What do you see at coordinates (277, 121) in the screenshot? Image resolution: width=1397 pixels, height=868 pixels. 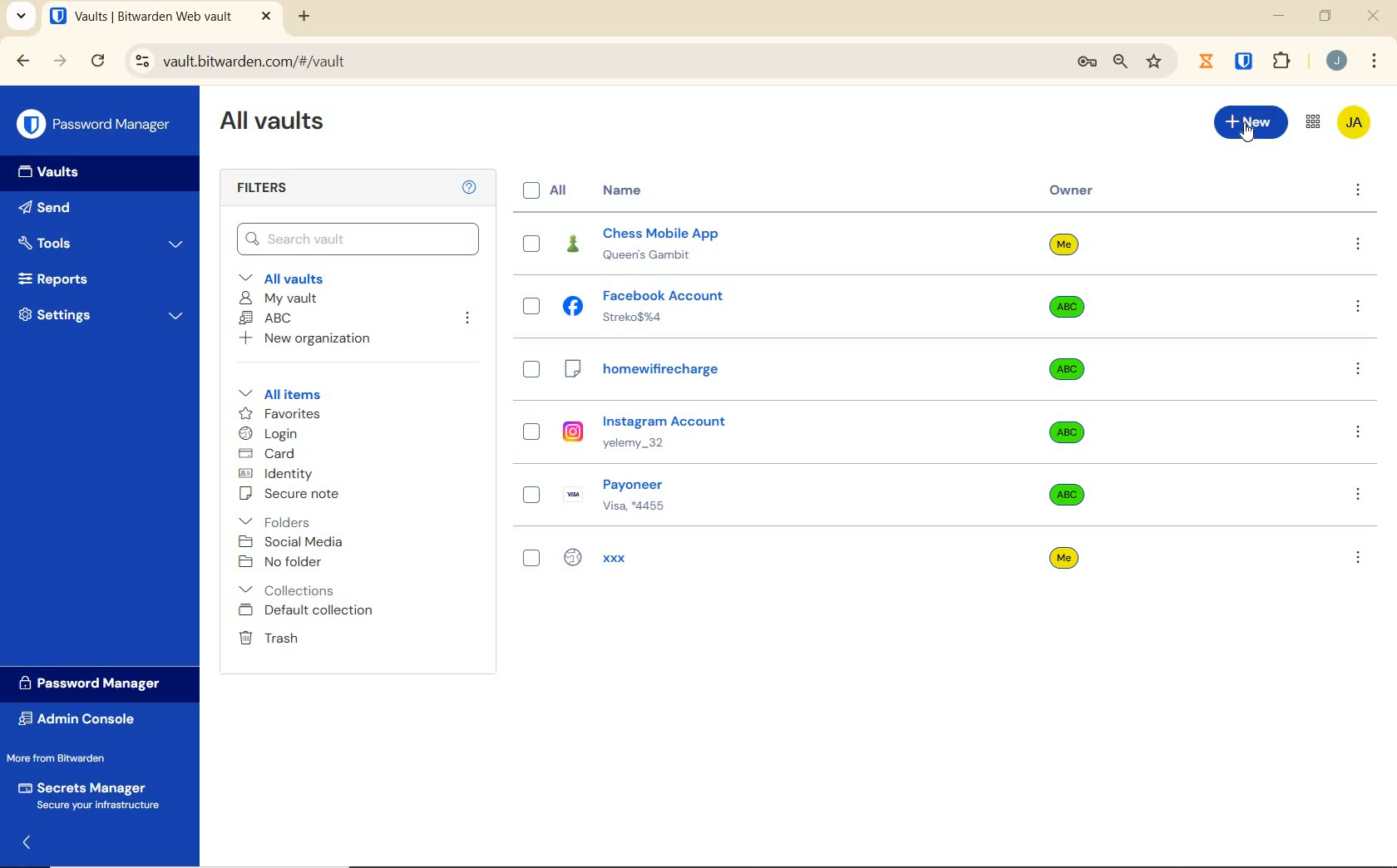 I see `All Vaults` at bounding box center [277, 121].